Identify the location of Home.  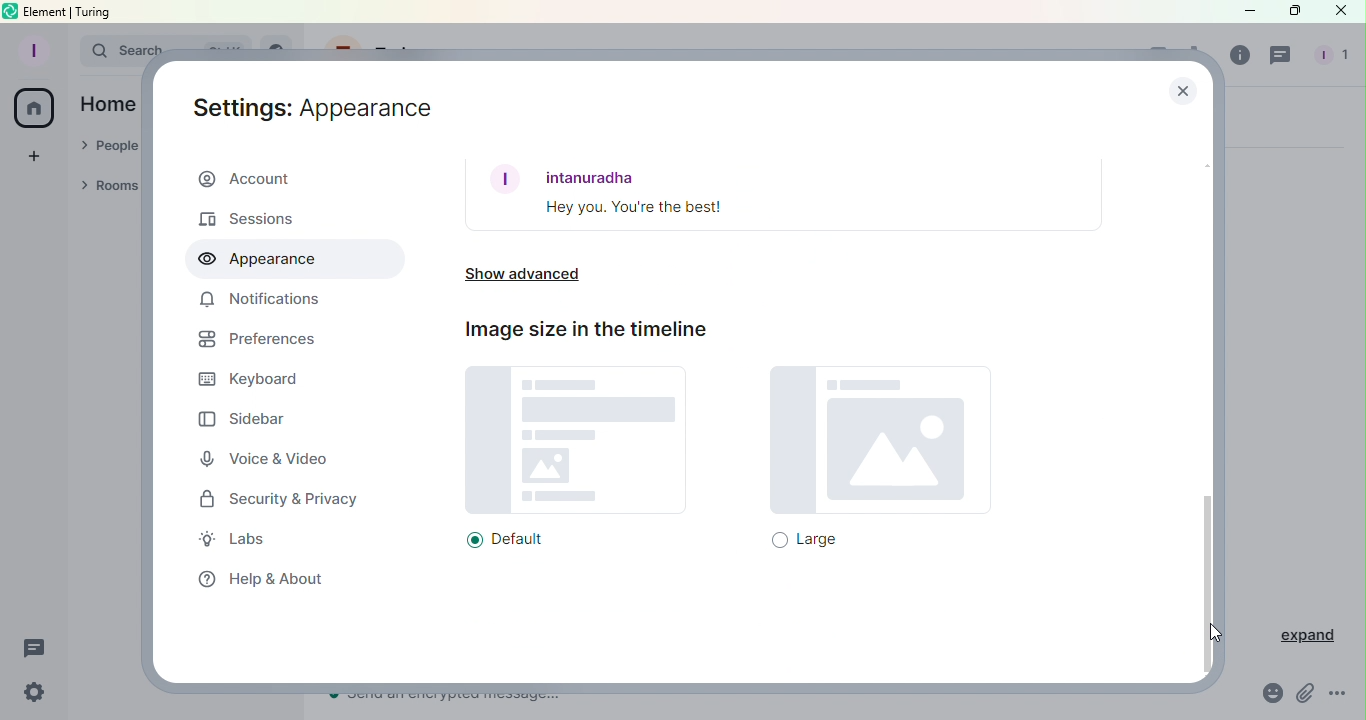
(35, 110).